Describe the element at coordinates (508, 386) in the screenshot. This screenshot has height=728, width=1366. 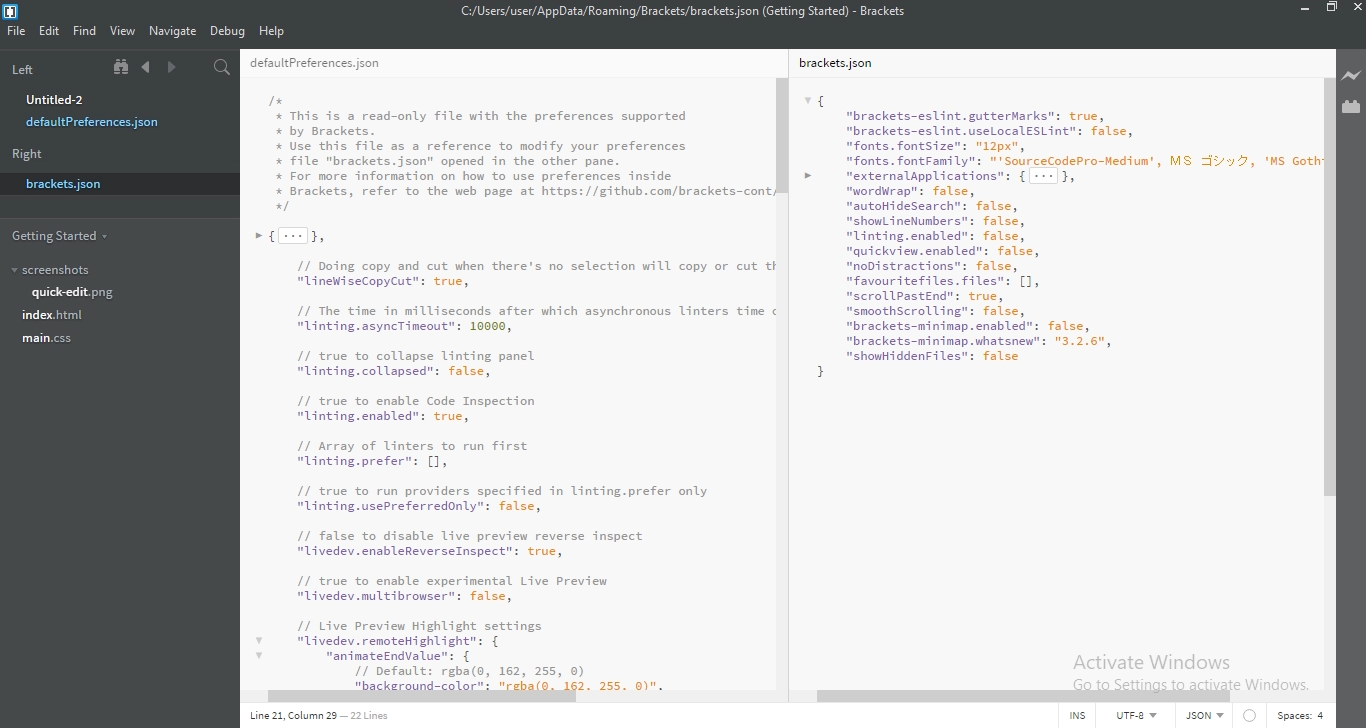
I see `I+# This is a read-only file with the preferences supported# by Brackets.Use this file as a reference to modify your preferences+ file "brackets.json" opened in the other pane.* For more information on how to use preferences inside+ Brackets, refer to the web page at https://github.con/brackets-cont/brackets/wiki/H+»{[-]}// Doing copy and cut when there's no selection will copy or cut the whole Lines t“LineWiseCopyCut": true,// The time in milliseconds after which asynchronous linters time out"linting.asyncTineout": 10000,// true to collapse linting panel"linting.collapsed”: false,// true to enable Code Inspection"linting.enabled": true,71 Array of inters to run first"Unting.prefer"s [1// true to run providers specified in linting.prefer only"linting.usePreferredonly": false,// false to disable live preview reverse inspect"ivedev. enableReverseInspect”: true,11 true to enable experimental Live Preview"Livedev.multibrowser": false,/1 Live Preview Highlight settingsv "livedev.remoteHighlight": {v “aninateEndvalue: {// Default: rgba(o, 162, 255, 0)21` at that location.